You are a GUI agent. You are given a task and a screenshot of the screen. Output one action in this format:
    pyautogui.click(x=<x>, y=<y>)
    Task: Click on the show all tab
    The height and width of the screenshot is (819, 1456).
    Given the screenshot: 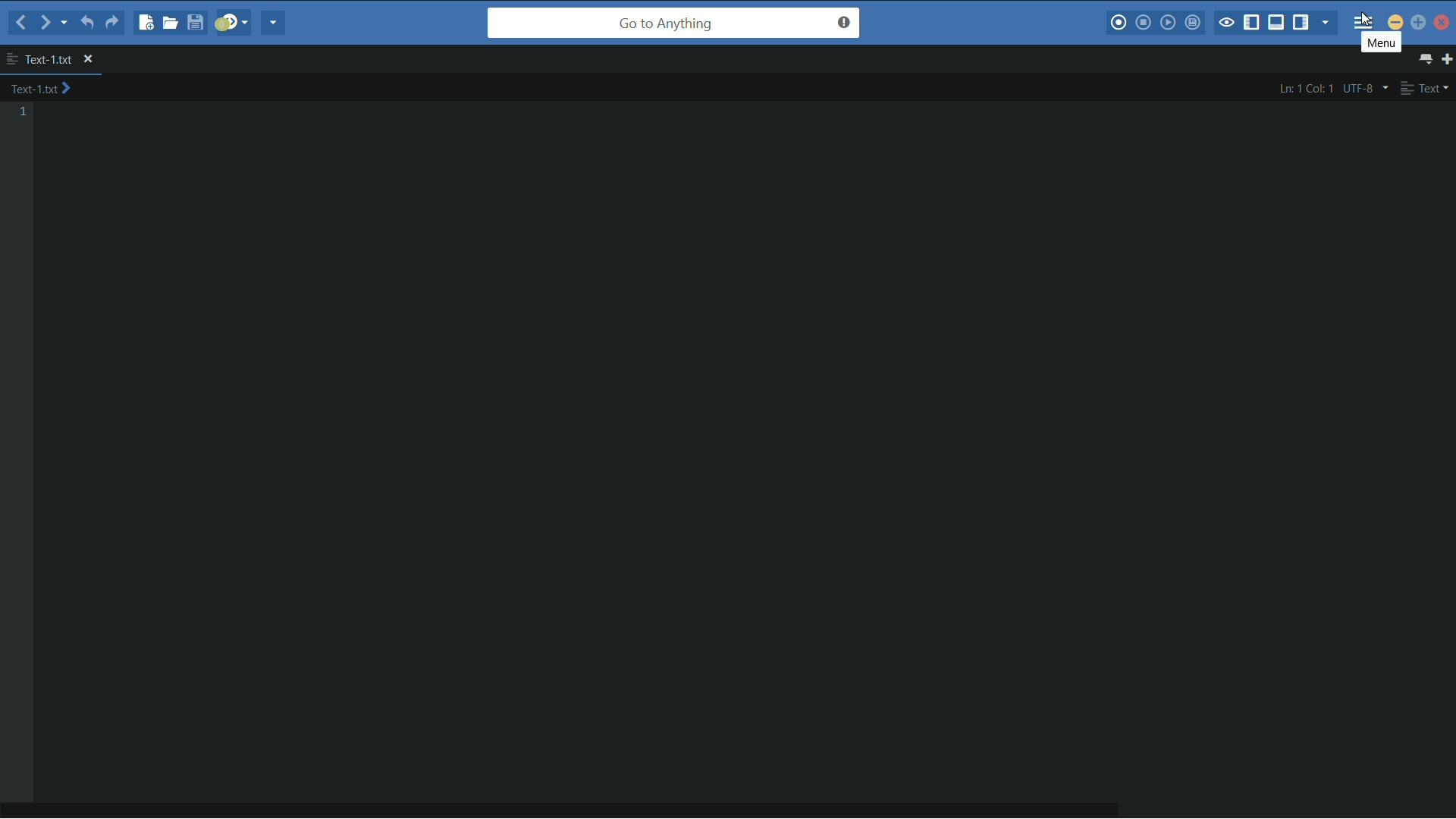 What is the action you would take?
    pyautogui.click(x=1427, y=59)
    